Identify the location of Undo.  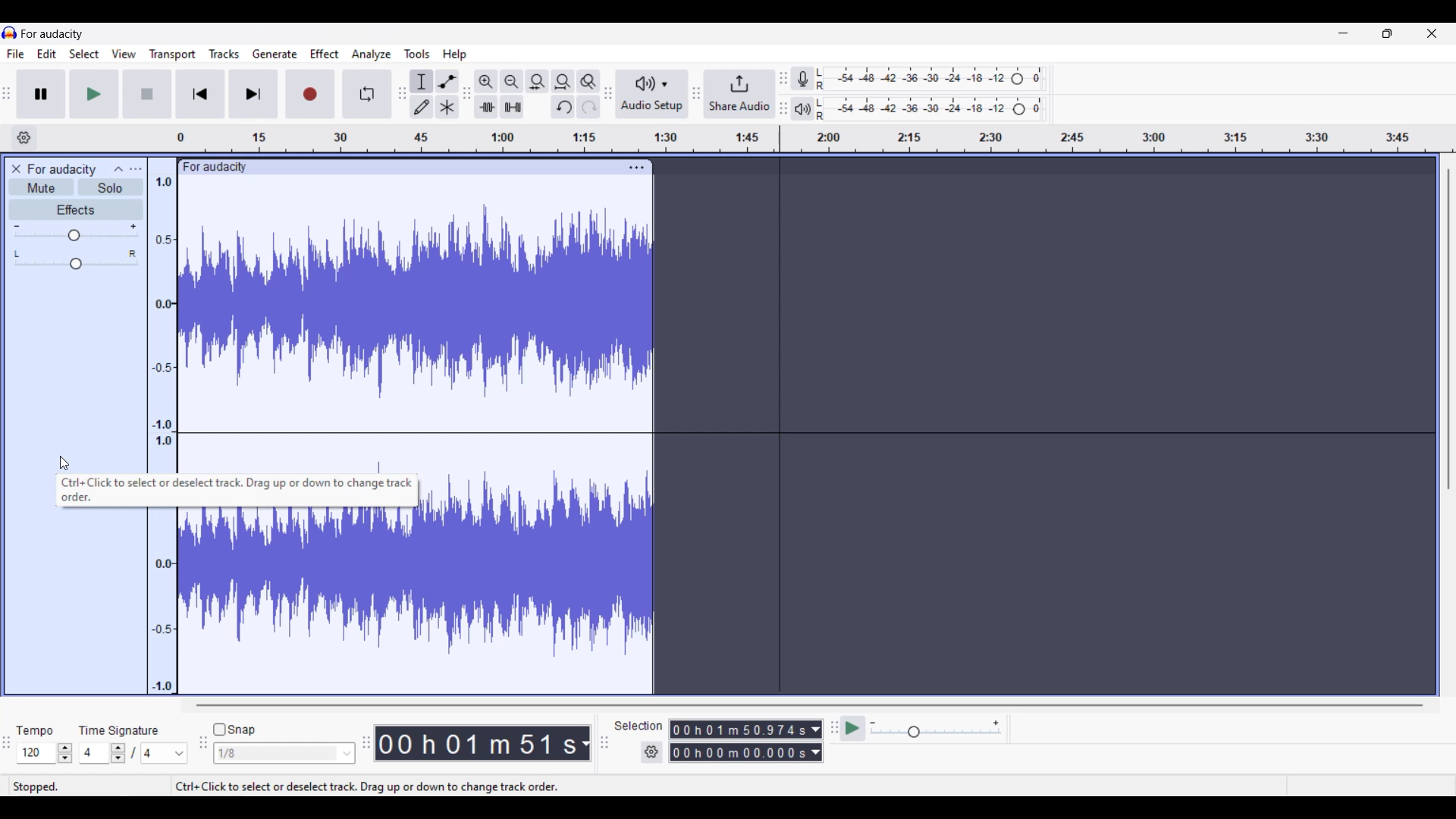
(563, 107).